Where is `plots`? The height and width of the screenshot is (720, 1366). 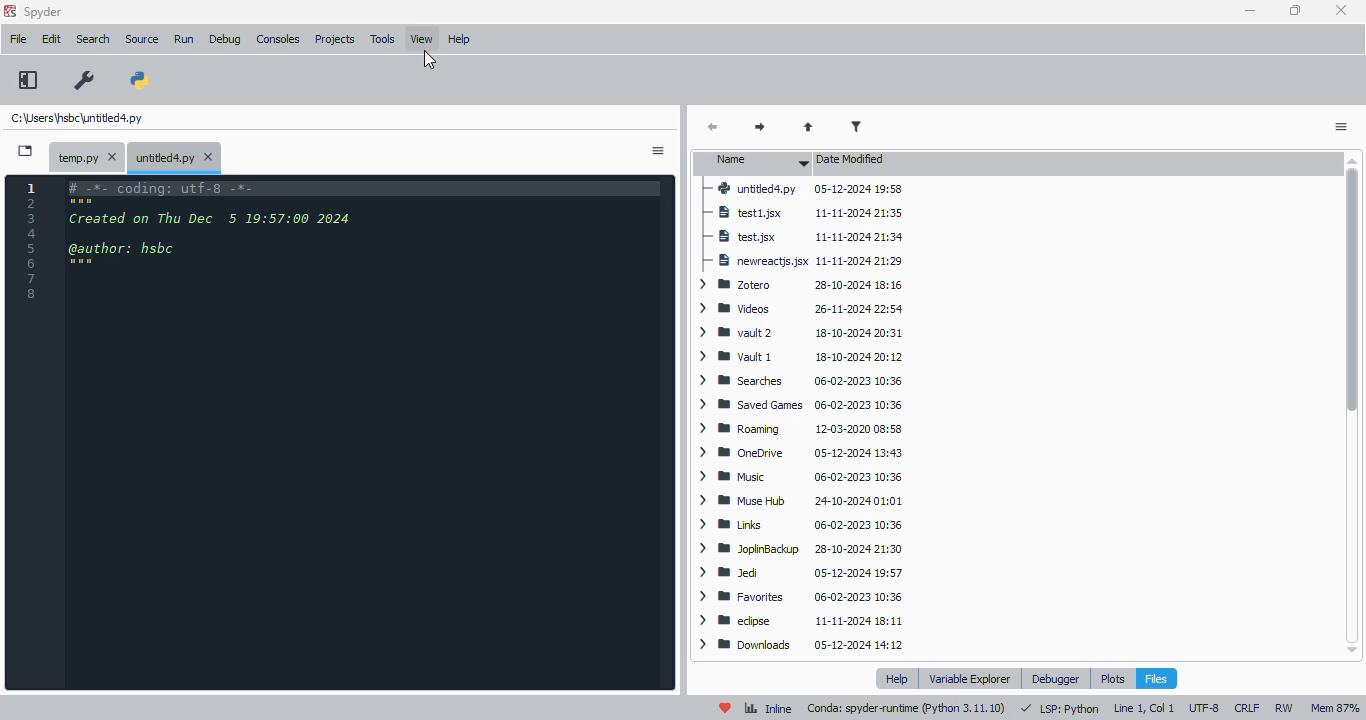
plots is located at coordinates (1112, 678).